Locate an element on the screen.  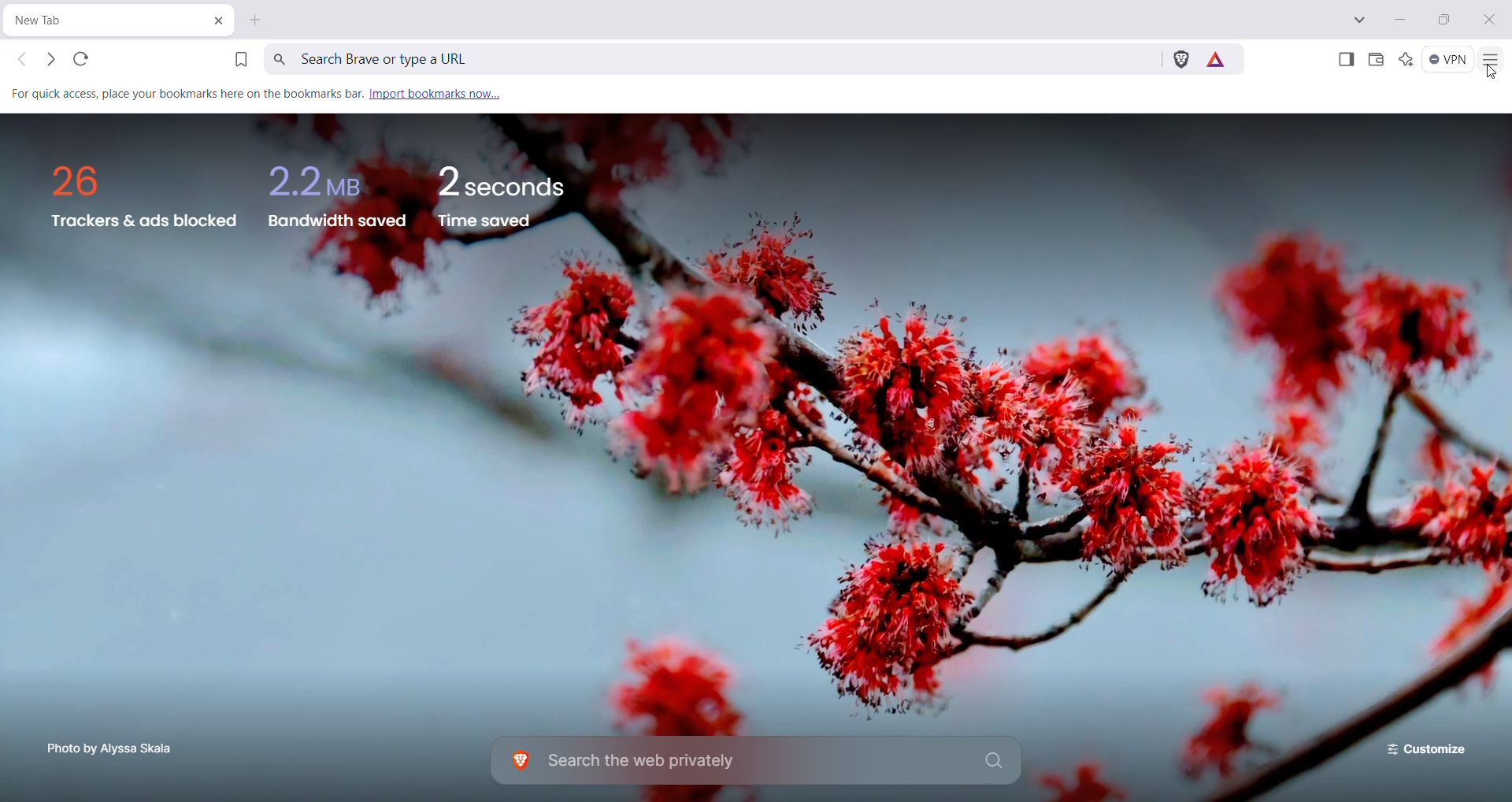
2.2 MBB Bandwidth saved is located at coordinates (337, 191).